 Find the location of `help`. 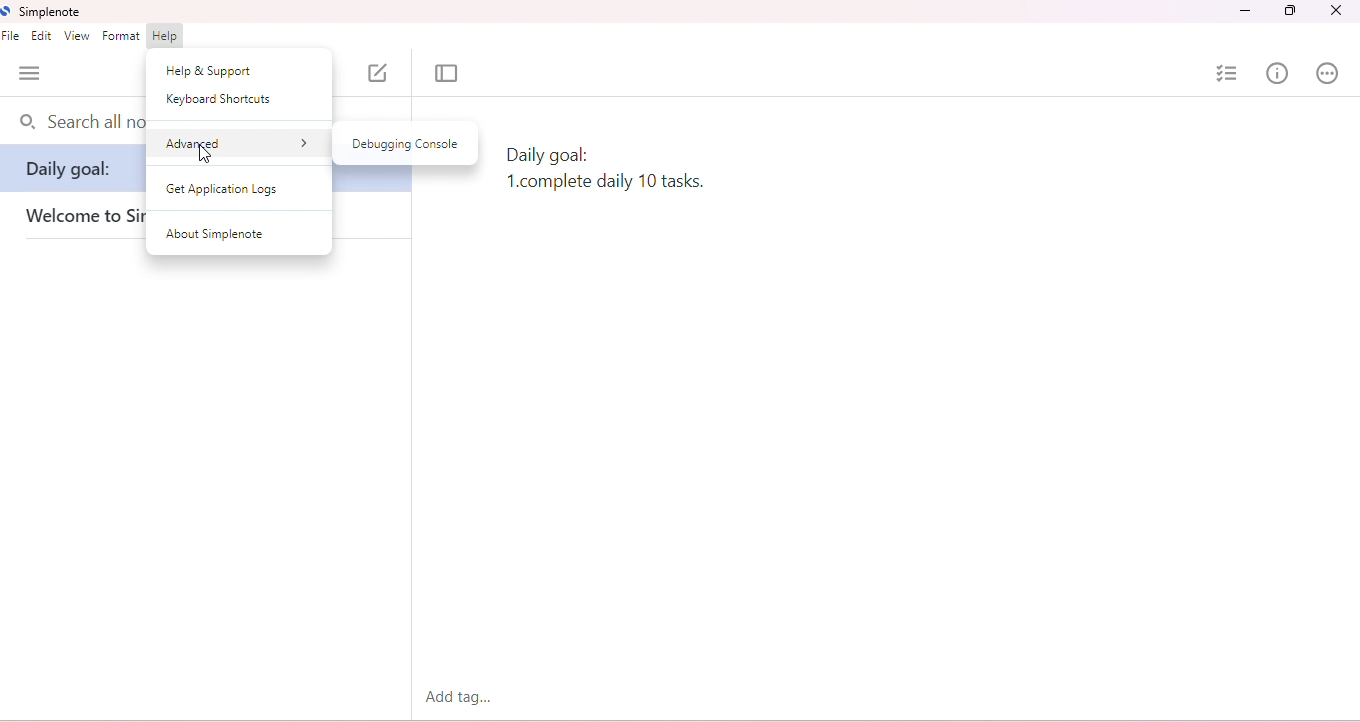

help is located at coordinates (167, 36).